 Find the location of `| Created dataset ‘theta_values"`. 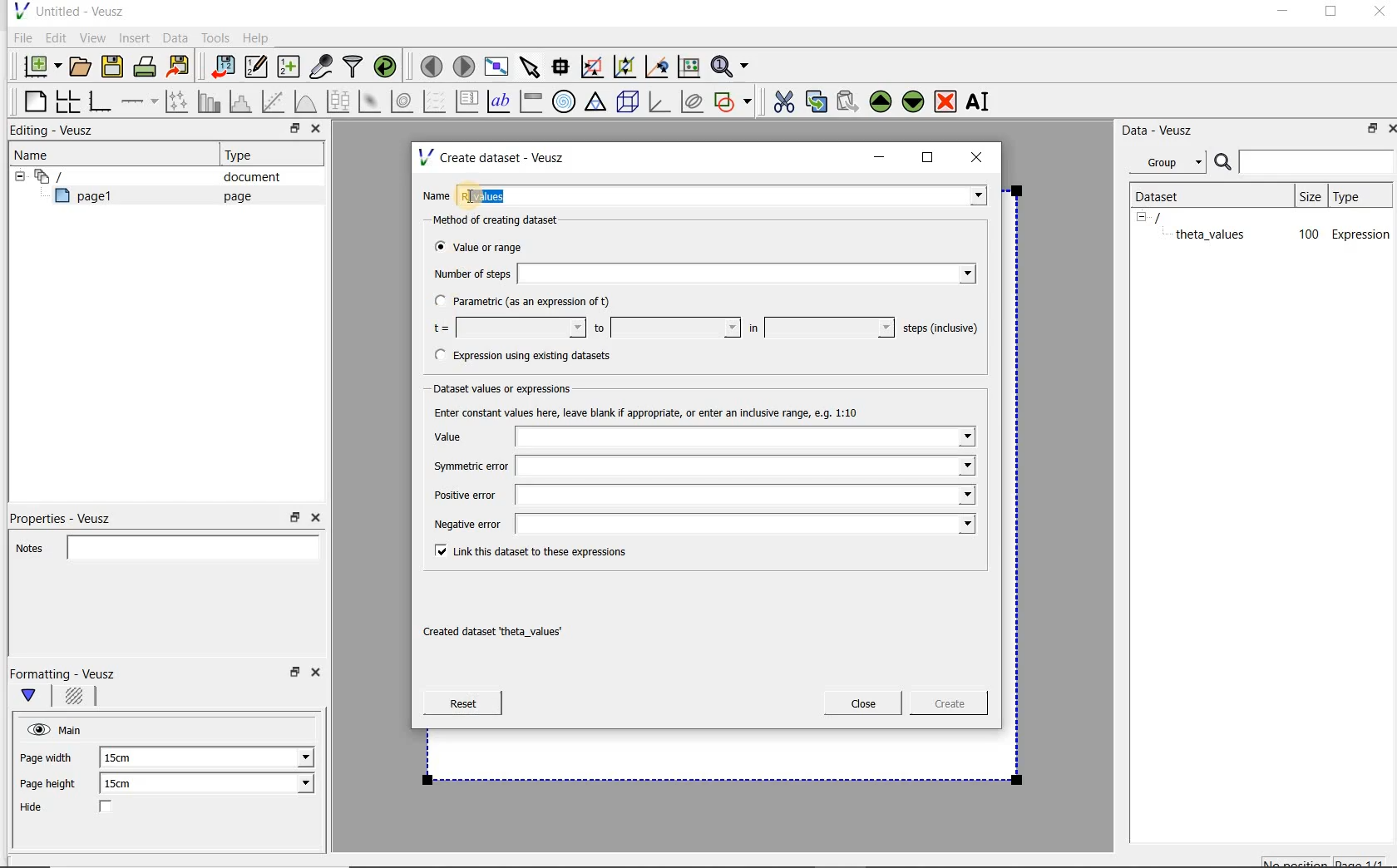

| Created dataset ‘theta_values" is located at coordinates (511, 633).